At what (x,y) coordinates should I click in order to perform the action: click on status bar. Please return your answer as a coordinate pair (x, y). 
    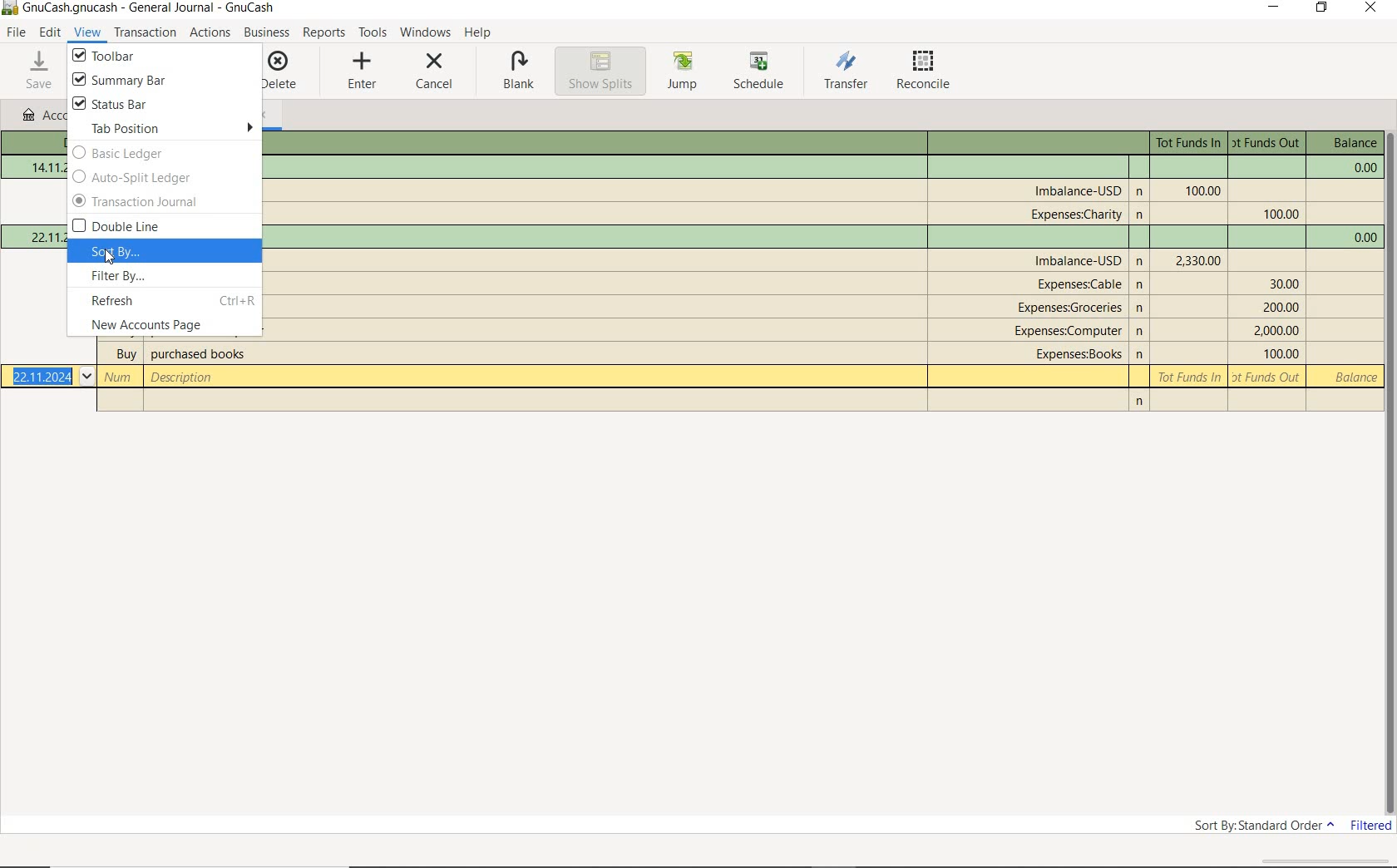
    Looking at the image, I should click on (115, 104).